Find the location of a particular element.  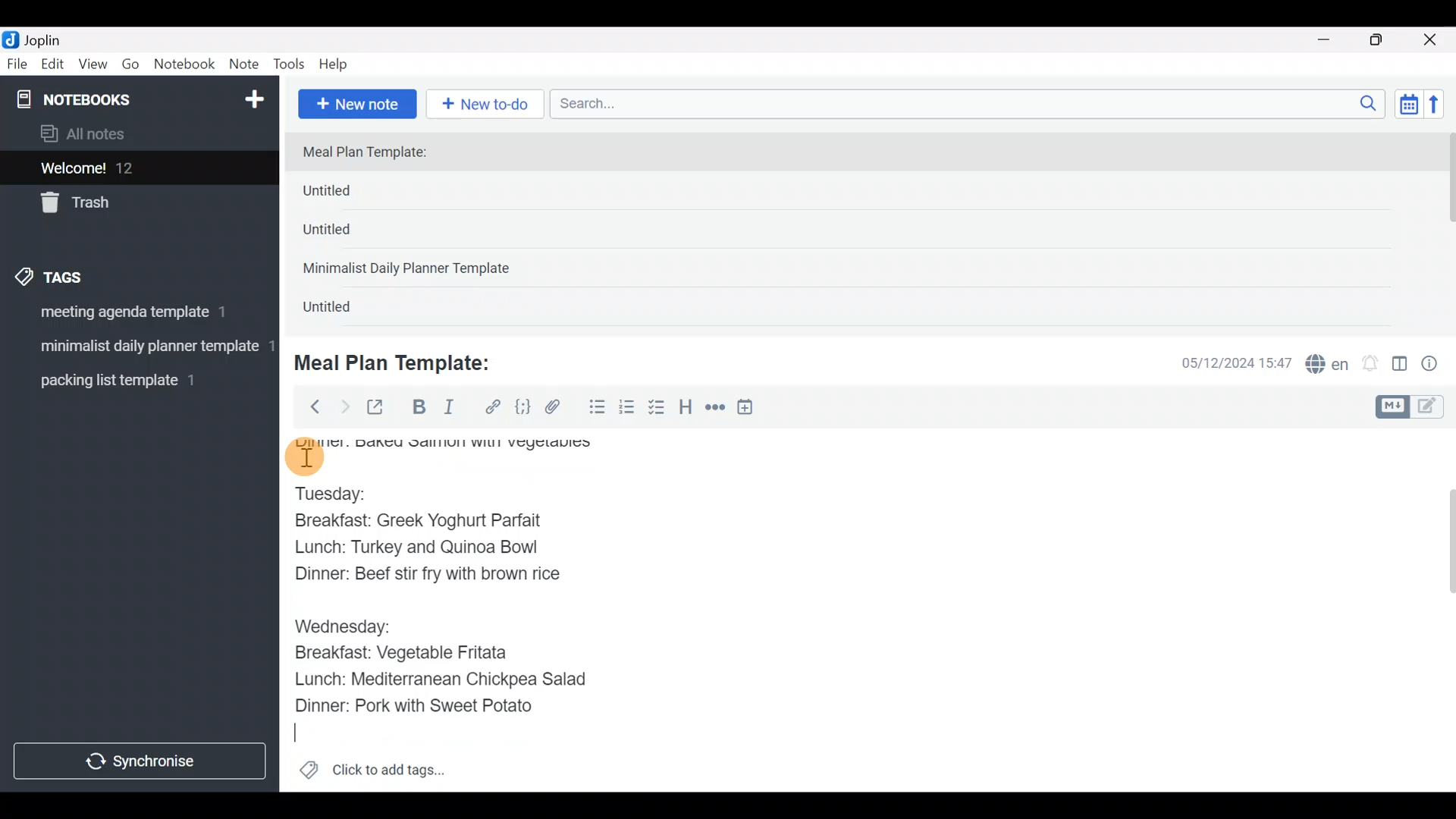

All notes is located at coordinates (136, 135).